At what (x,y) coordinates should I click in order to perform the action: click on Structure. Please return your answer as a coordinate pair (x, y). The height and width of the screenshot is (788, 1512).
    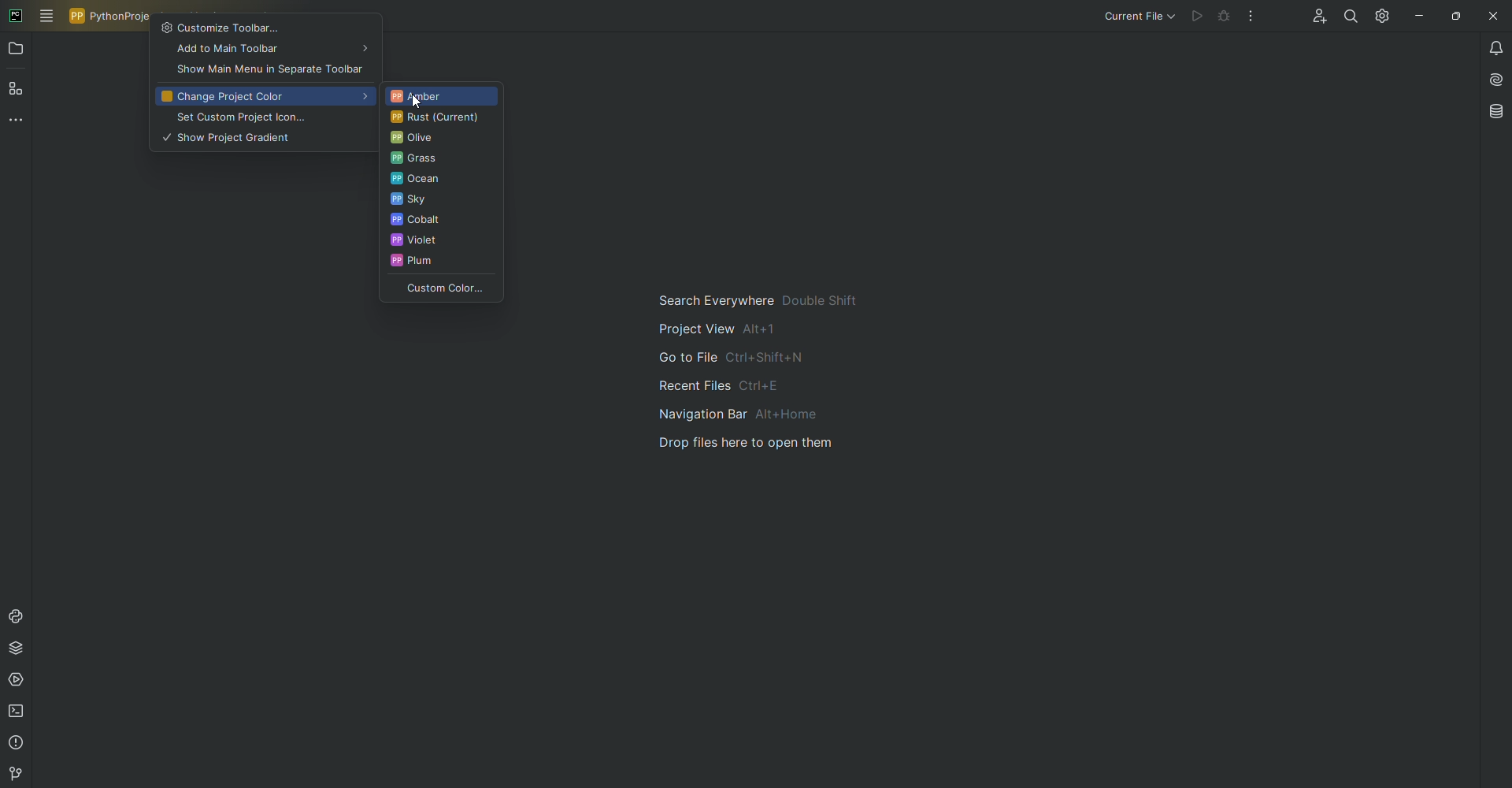
    Looking at the image, I should click on (18, 91).